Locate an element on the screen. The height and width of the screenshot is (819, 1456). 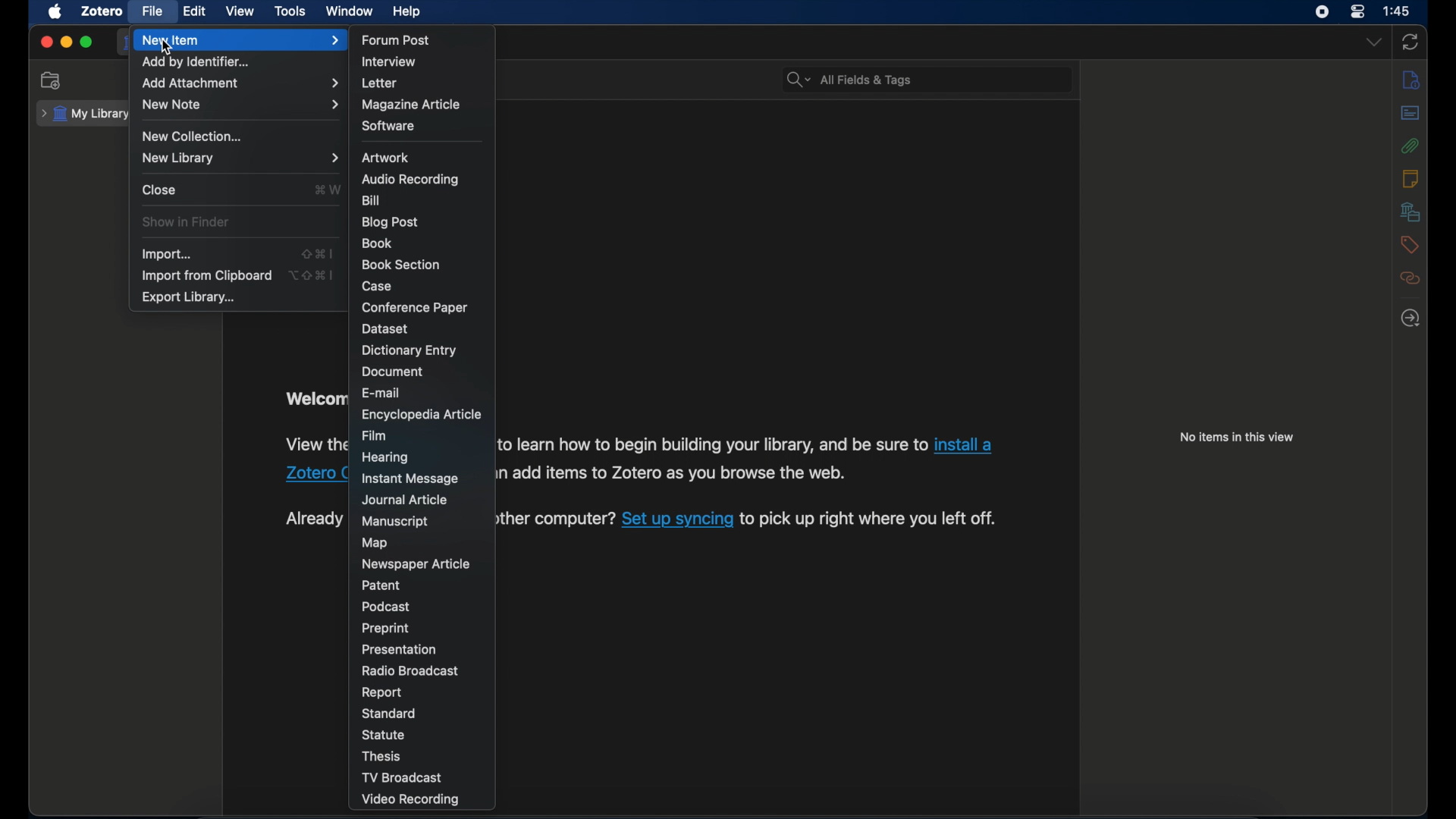
add by identifier is located at coordinates (196, 62).